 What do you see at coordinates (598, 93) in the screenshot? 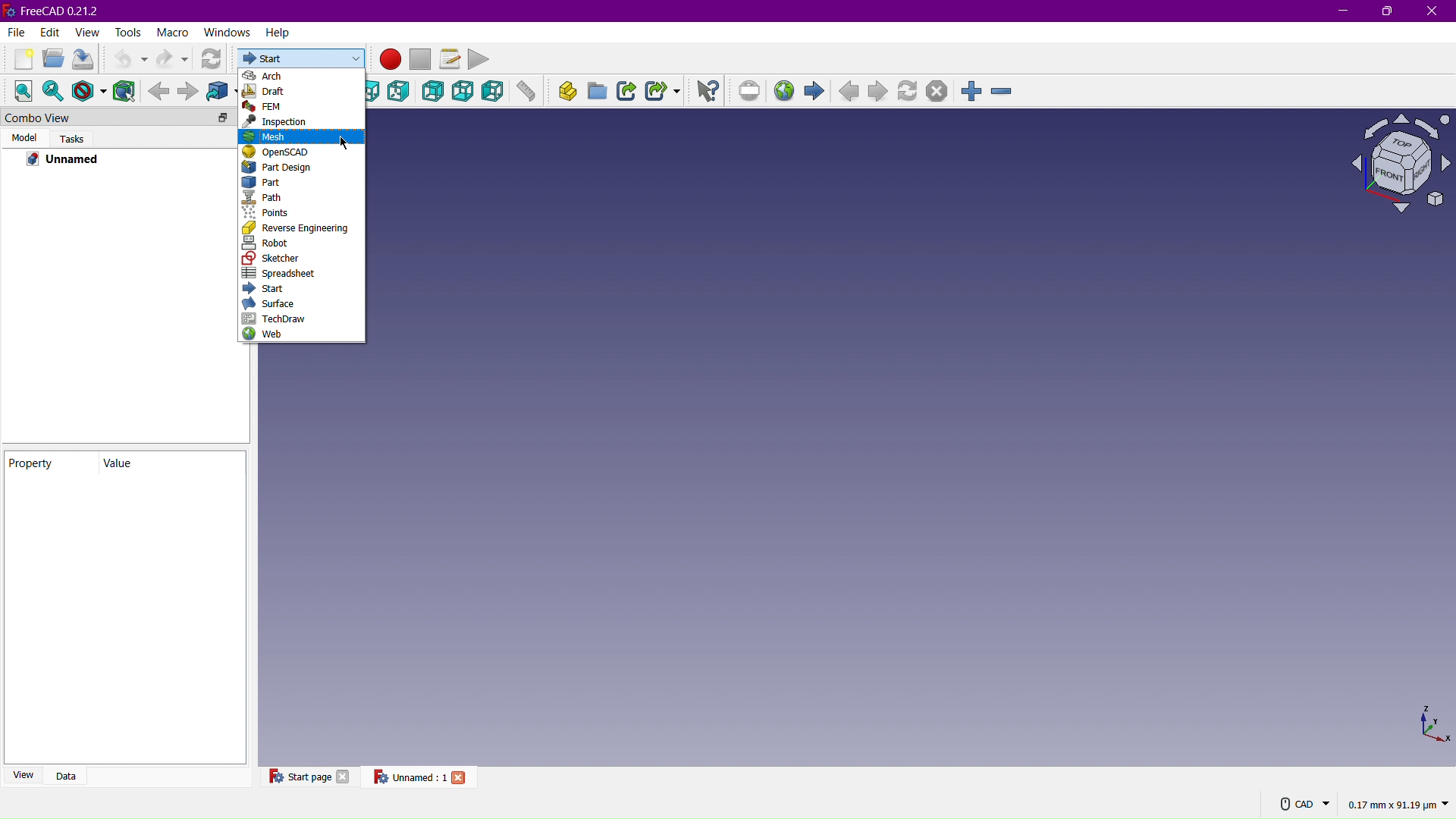
I see `Create Folder` at bounding box center [598, 93].